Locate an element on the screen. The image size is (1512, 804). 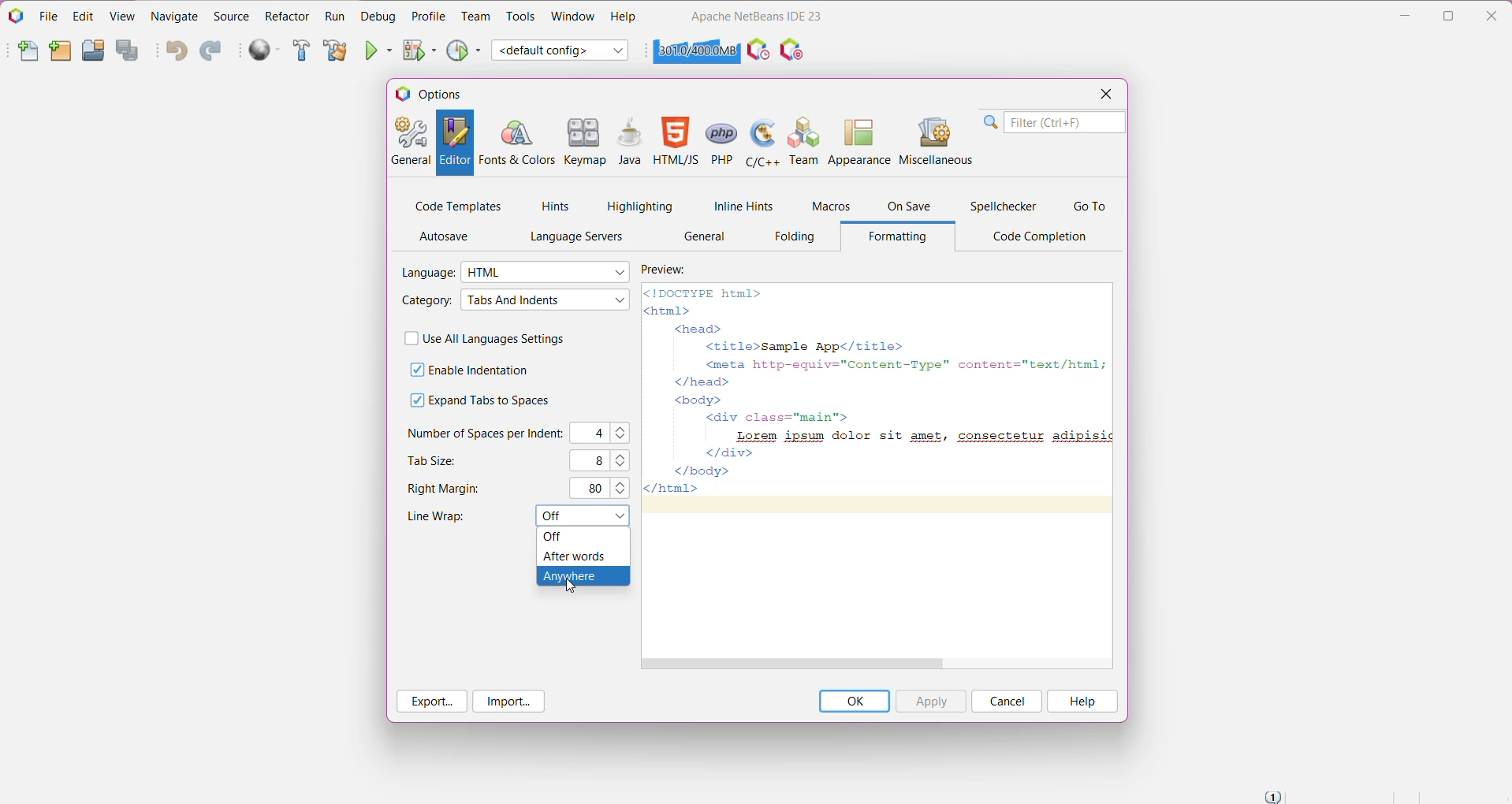
Profile Project is located at coordinates (464, 50).